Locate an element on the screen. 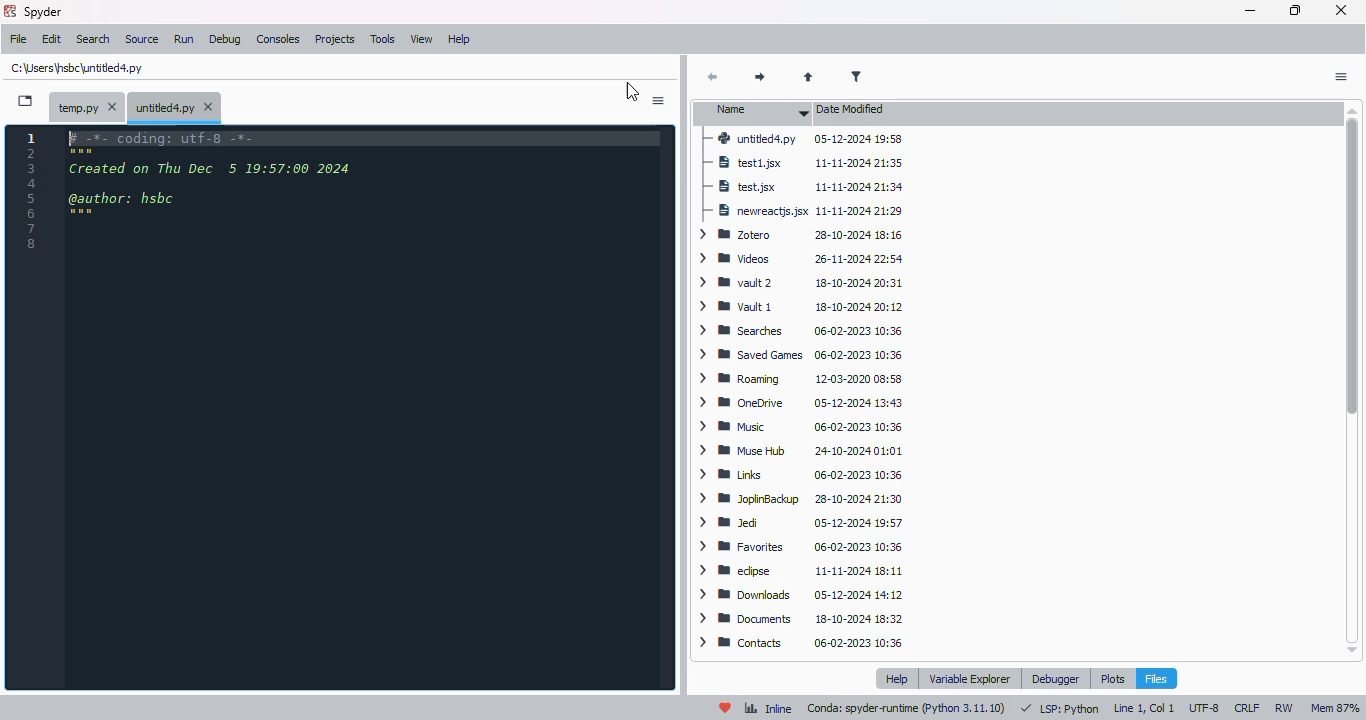  search is located at coordinates (93, 39).